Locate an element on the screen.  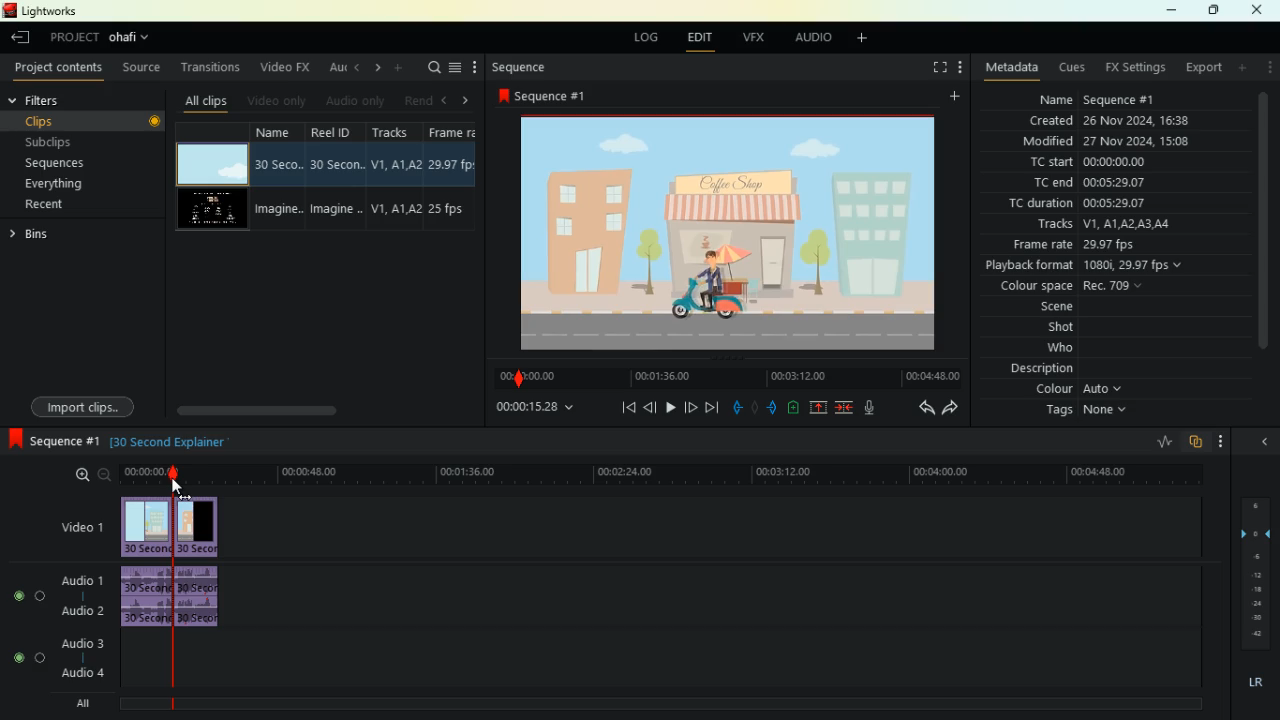
All is located at coordinates (83, 705).